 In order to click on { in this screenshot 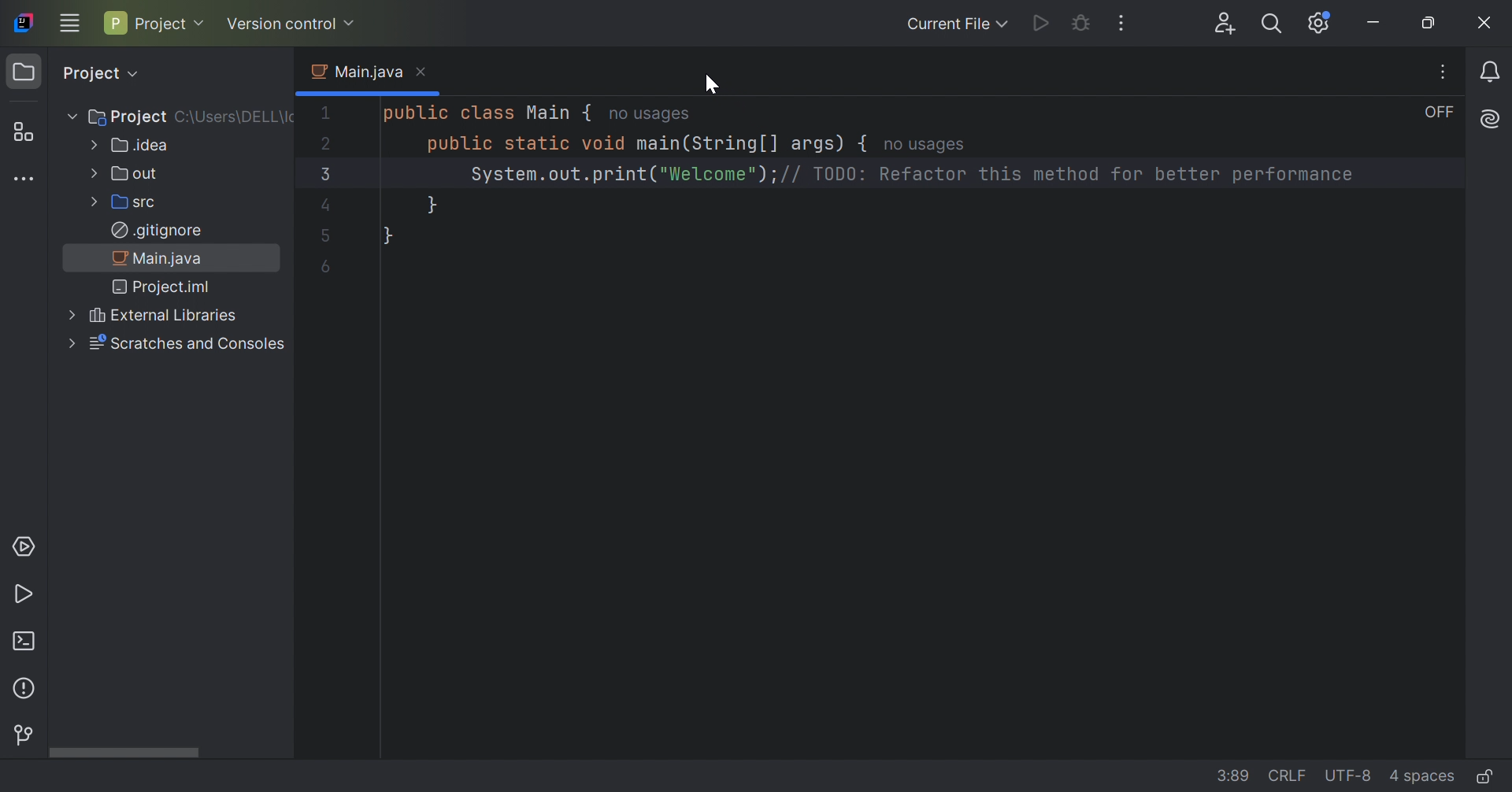, I will do `click(865, 144)`.